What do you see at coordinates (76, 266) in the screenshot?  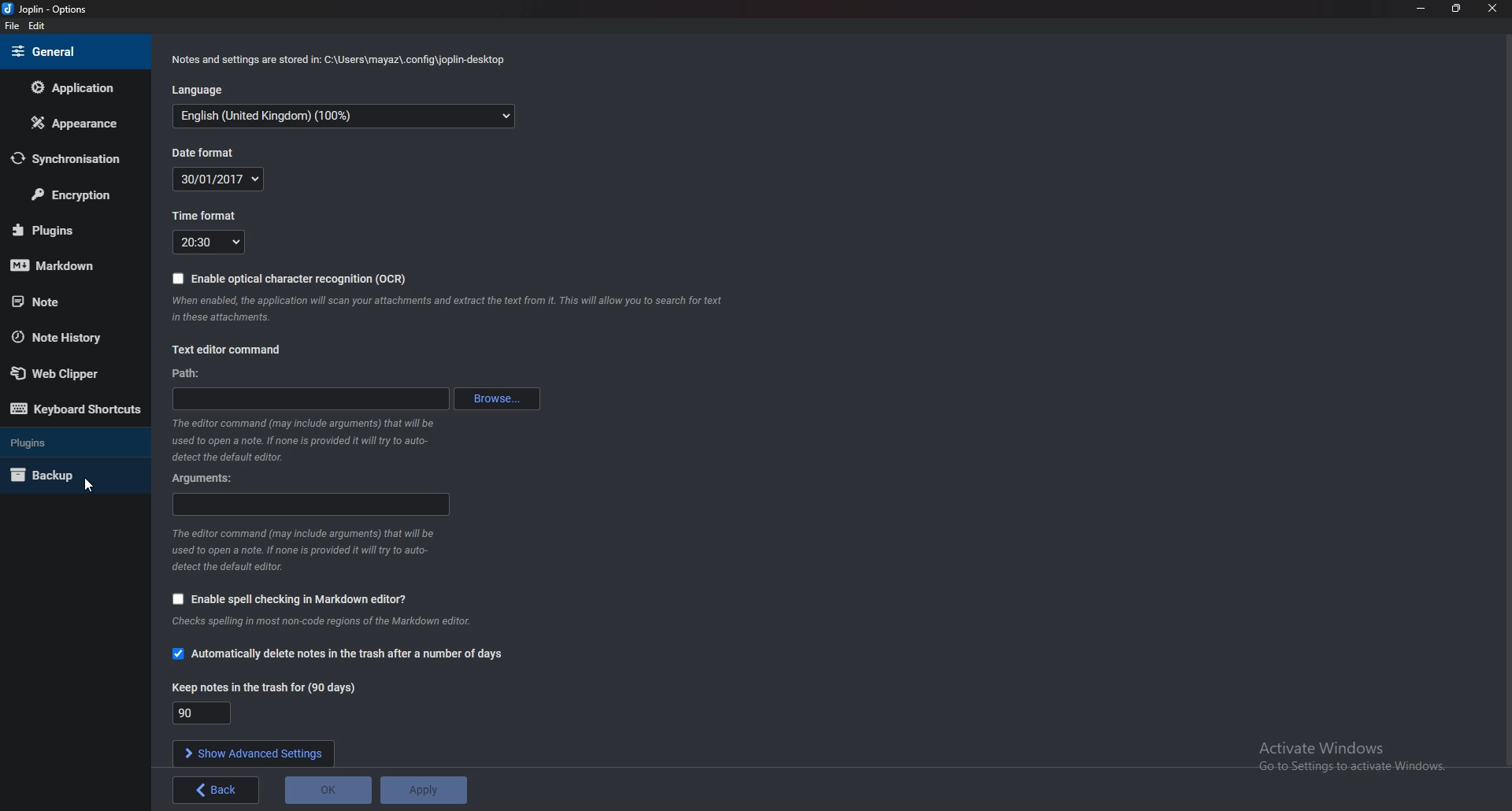 I see `Mark down` at bounding box center [76, 266].